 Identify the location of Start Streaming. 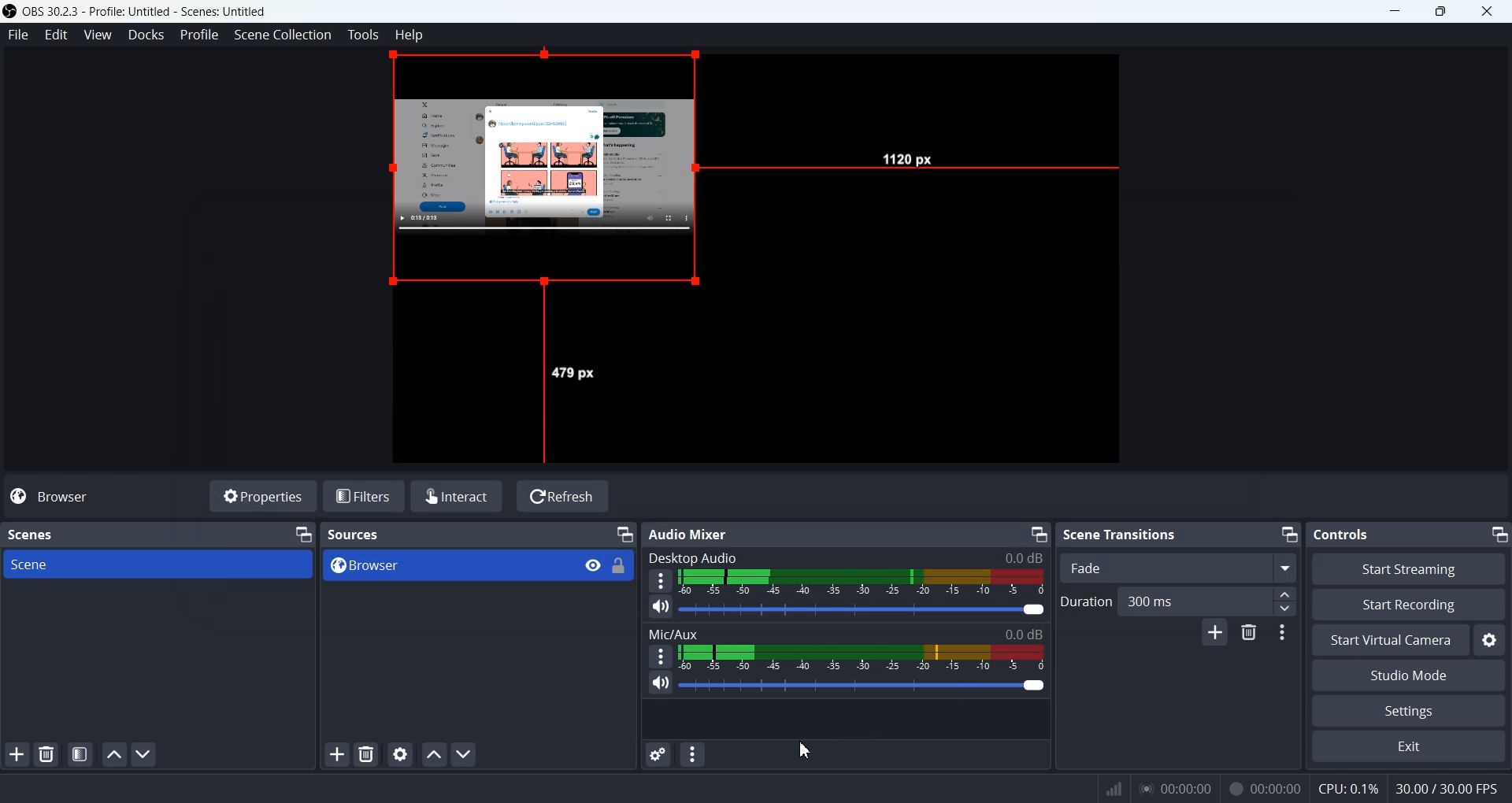
(1410, 568).